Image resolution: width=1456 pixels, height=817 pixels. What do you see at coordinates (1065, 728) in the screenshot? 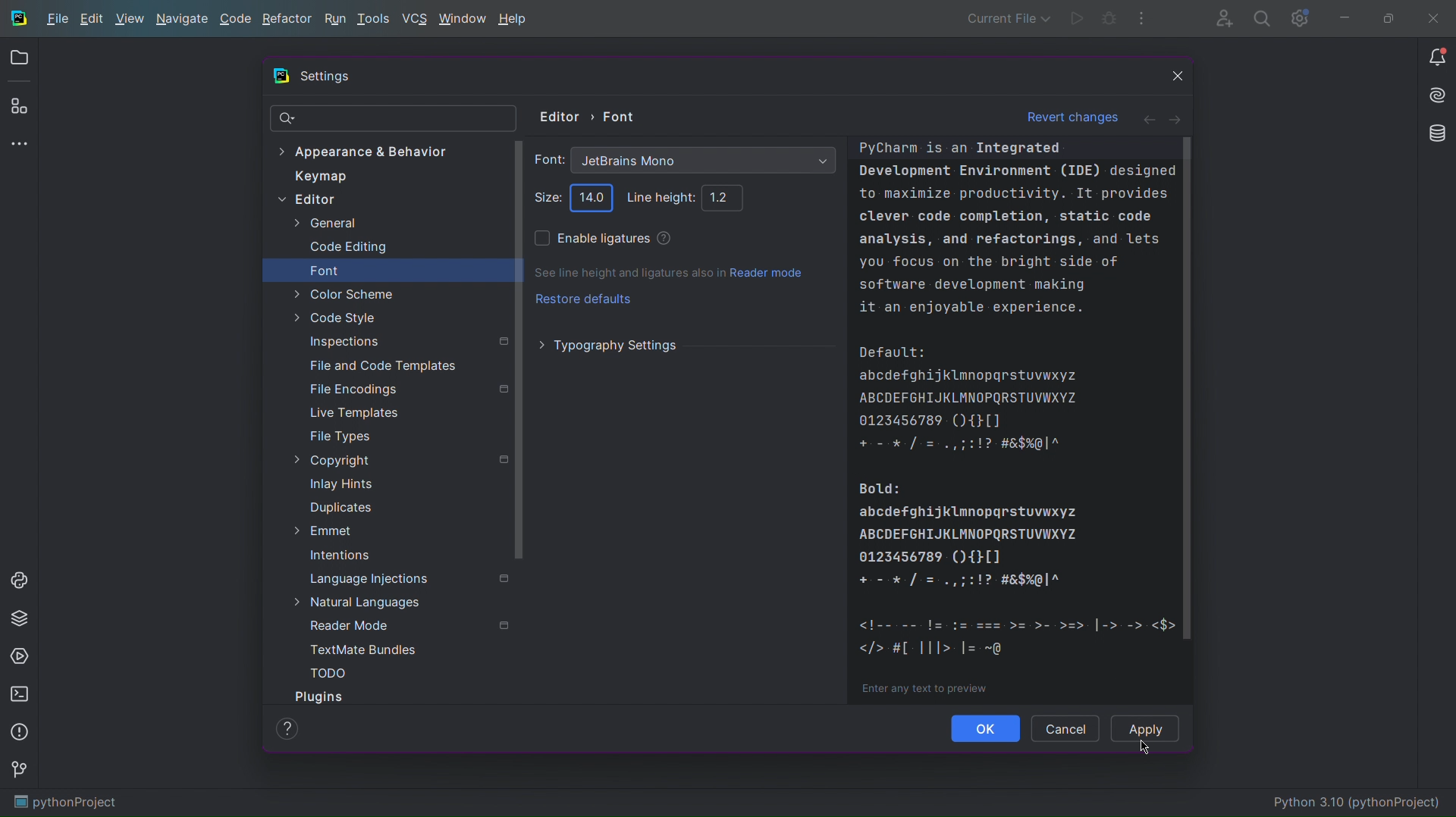
I see `Cancel` at bounding box center [1065, 728].